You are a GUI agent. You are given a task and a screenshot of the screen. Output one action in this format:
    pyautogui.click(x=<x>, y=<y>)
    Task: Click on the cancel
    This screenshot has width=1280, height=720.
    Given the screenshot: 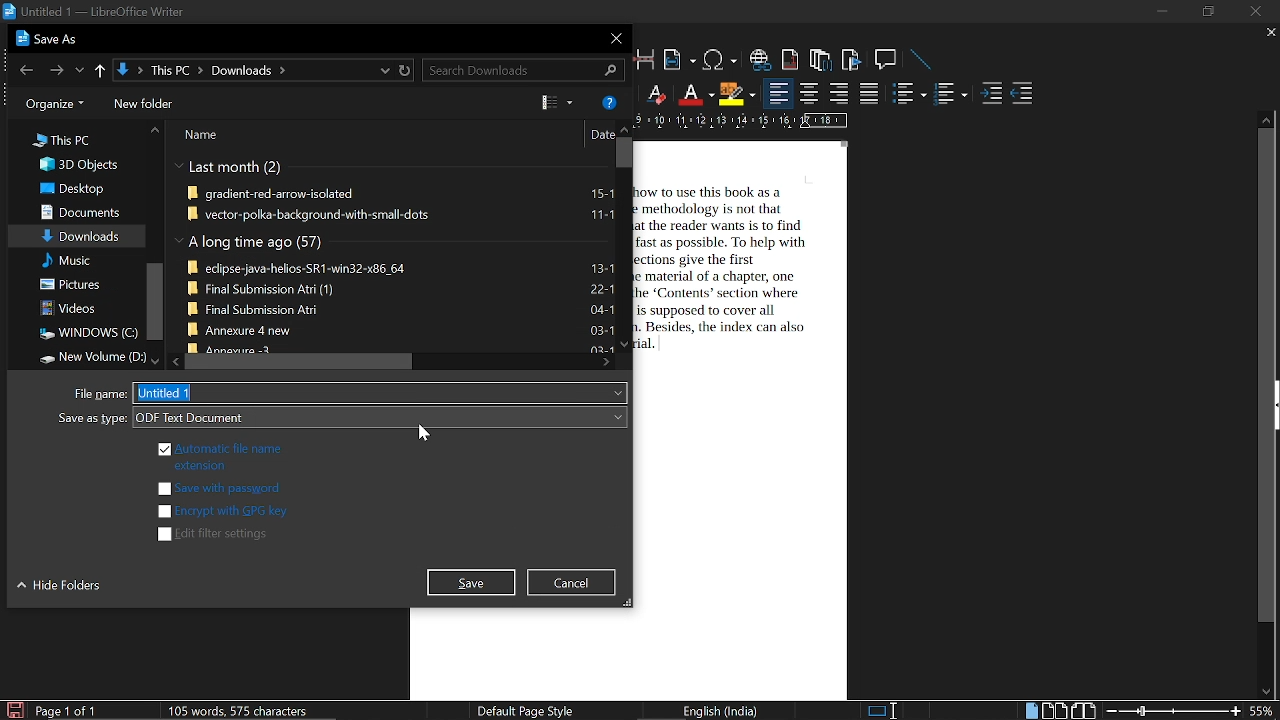 What is the action you would take?
    pyautogui.click(x=574, y=582)
    